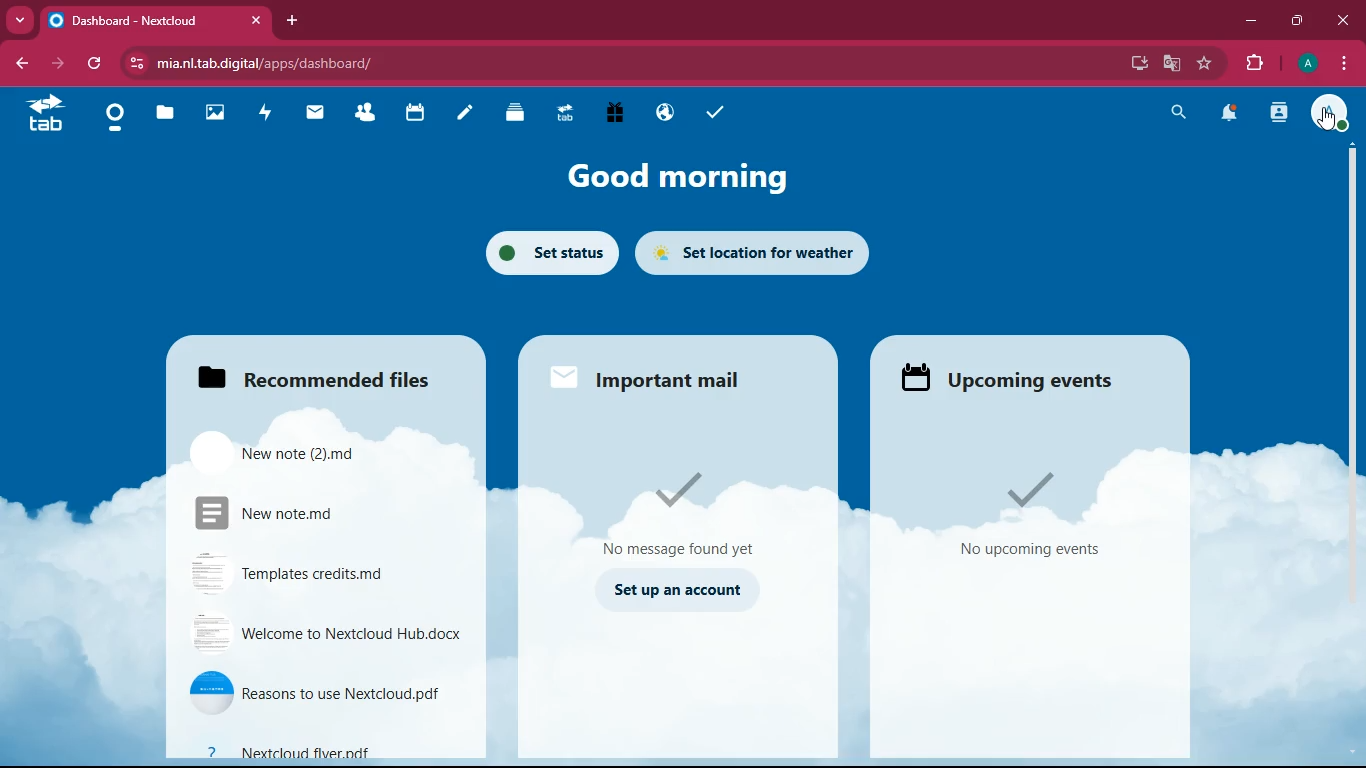  Describe the element at coordinates (217, 115) in the screenshot. I see `image` at that location.